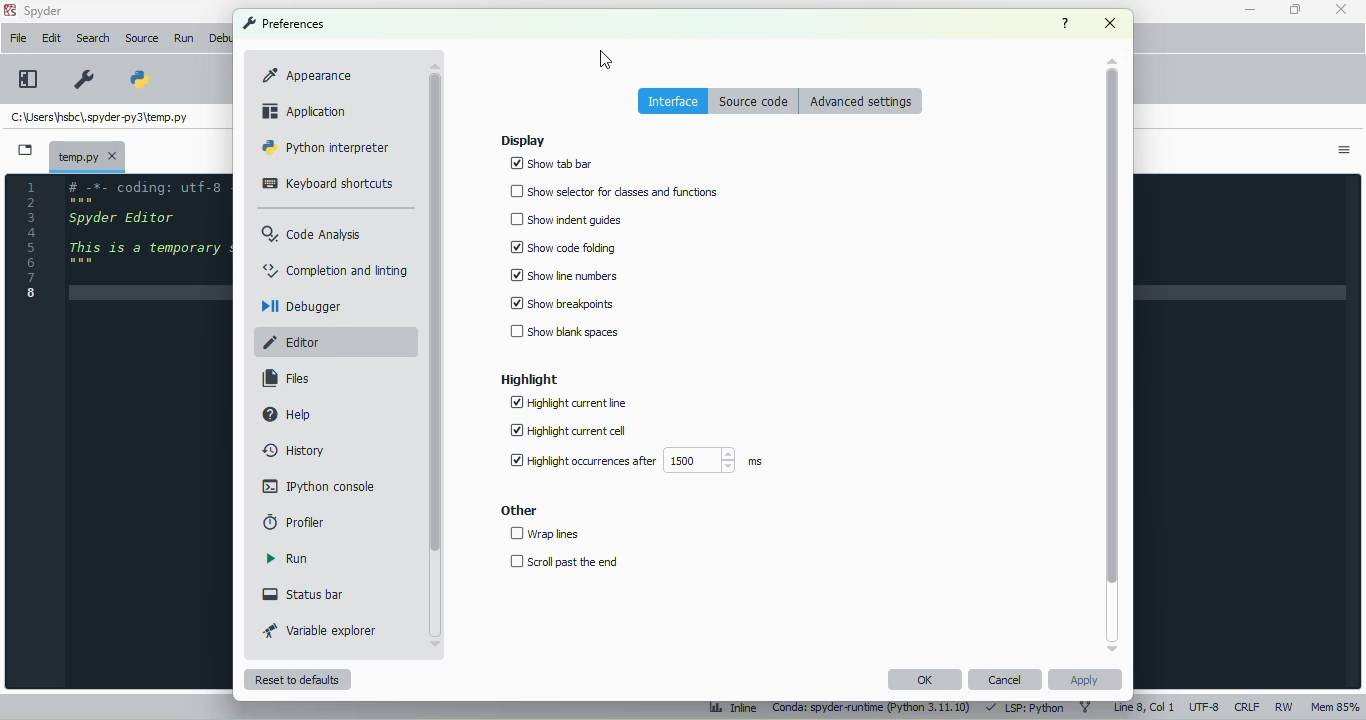 The image size is (1366, 720). Describe the element at coordinates (1085, 707) in the screenshot. I see `git branch` at that location.